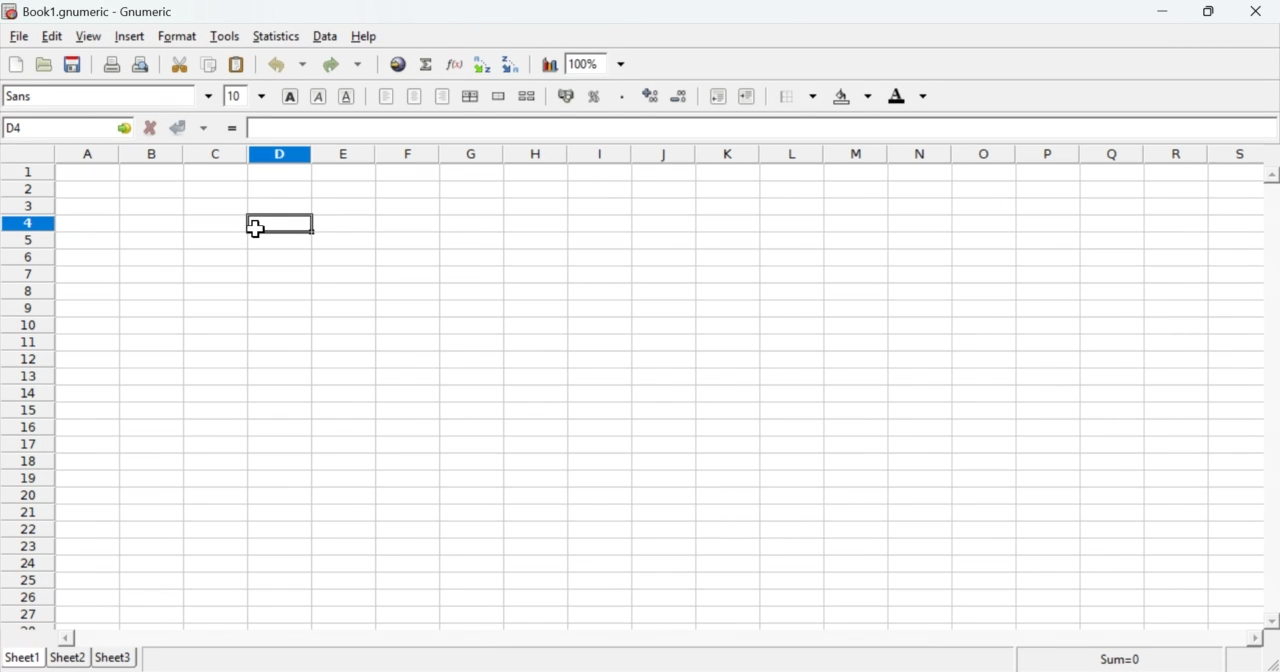  What do you see at coordinates (363, 36) in the screenshot?
I see `Help` at bounding box center [363, 36].